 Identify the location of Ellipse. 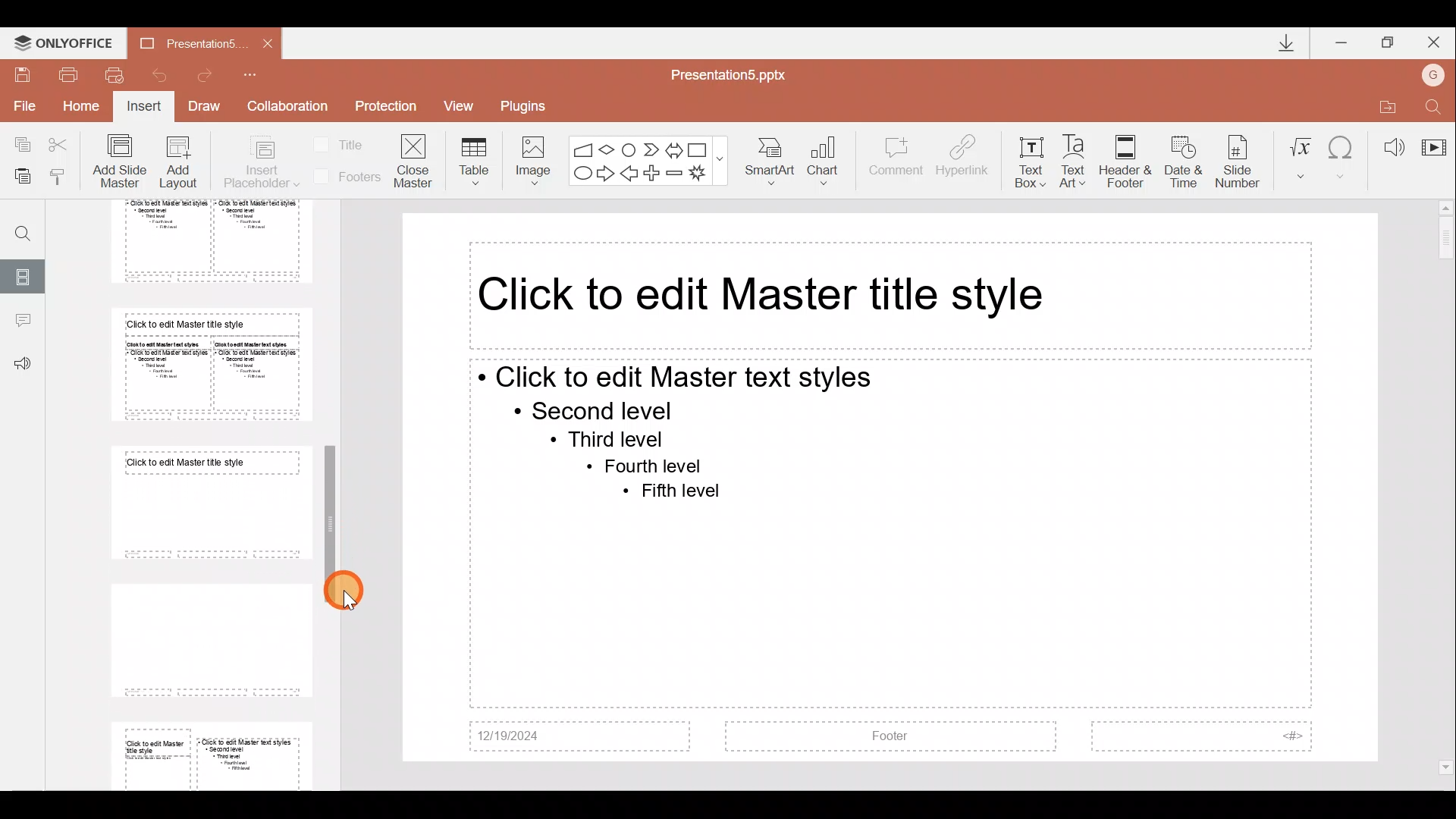
(581, 174).